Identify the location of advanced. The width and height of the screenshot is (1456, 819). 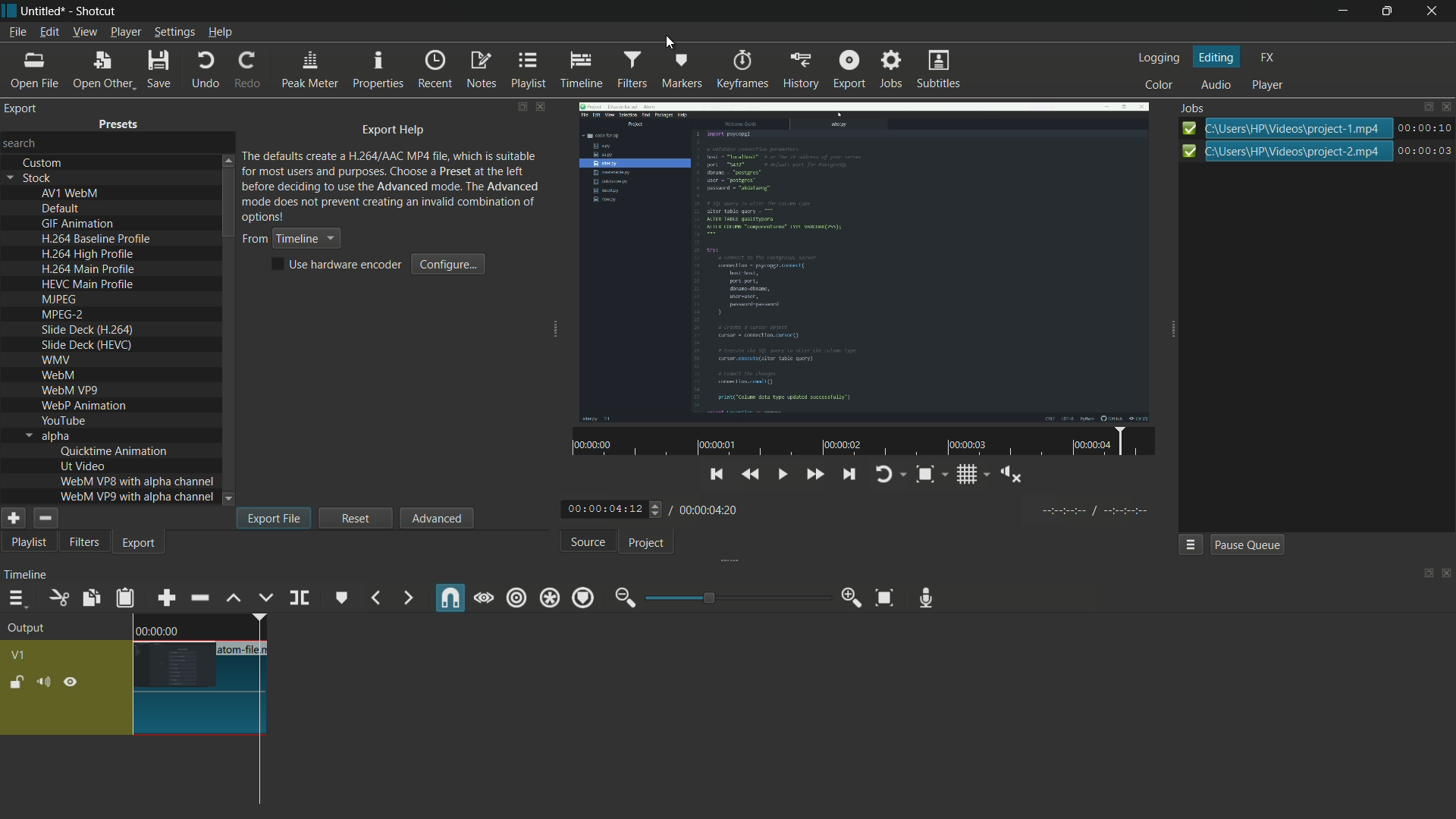
(435, 518).